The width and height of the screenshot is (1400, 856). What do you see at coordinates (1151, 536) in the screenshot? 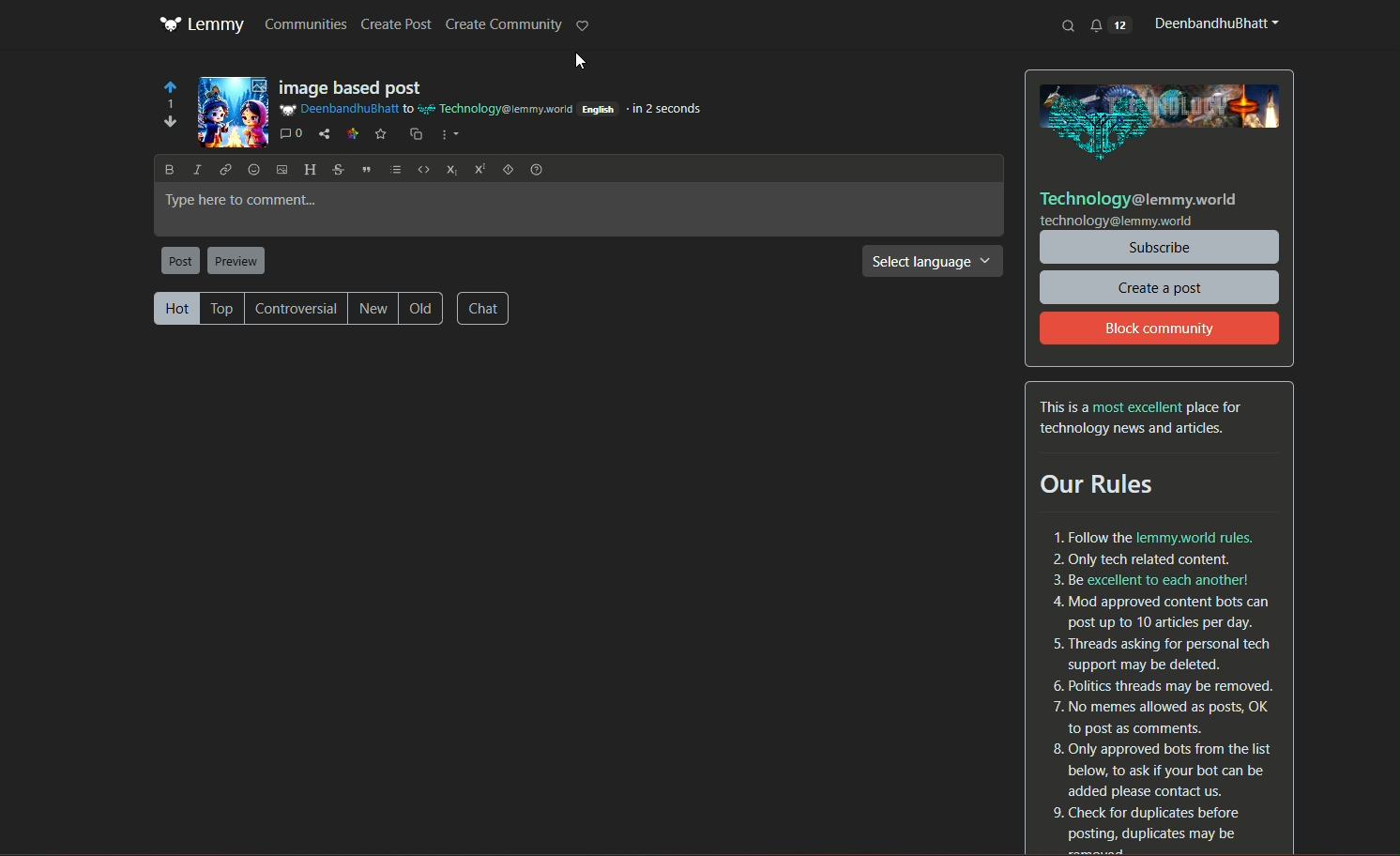
I see `1. Follow the lemmy.world rules.` at bounding box center [1151, 536].